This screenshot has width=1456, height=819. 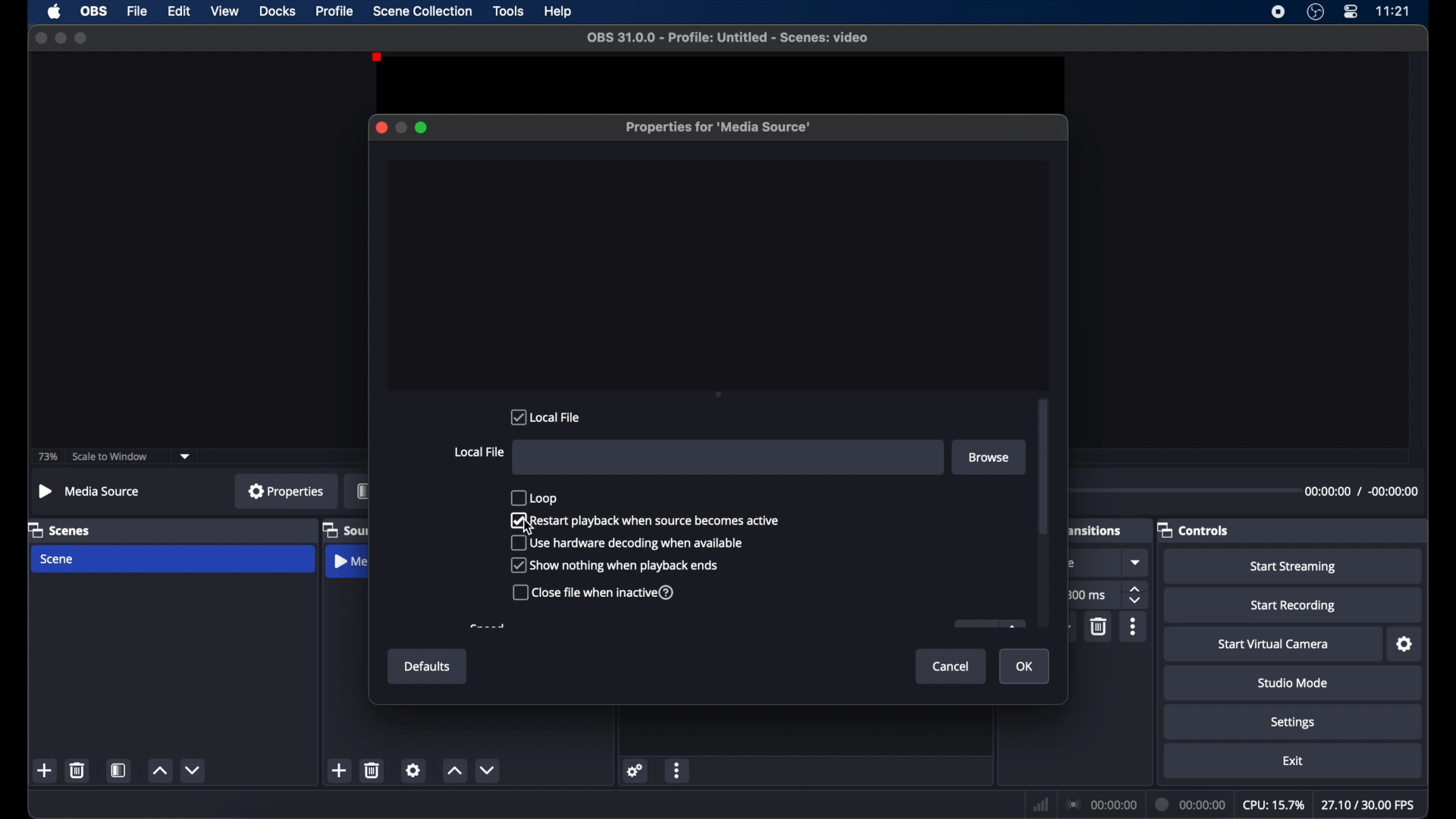 What do you see at coordinates (224, 10) in the screenshot?
I see `view` at bounding box center [224, 10].